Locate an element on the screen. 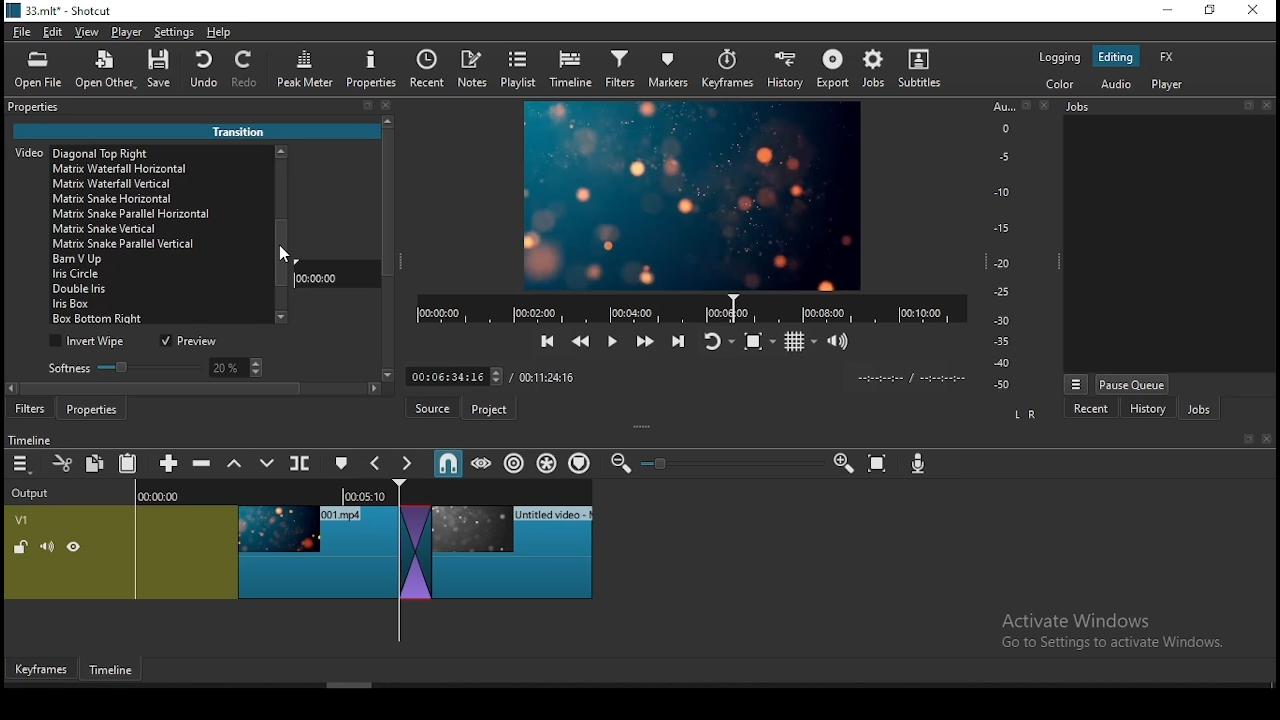  transition option is located at coordinates (159, 306).